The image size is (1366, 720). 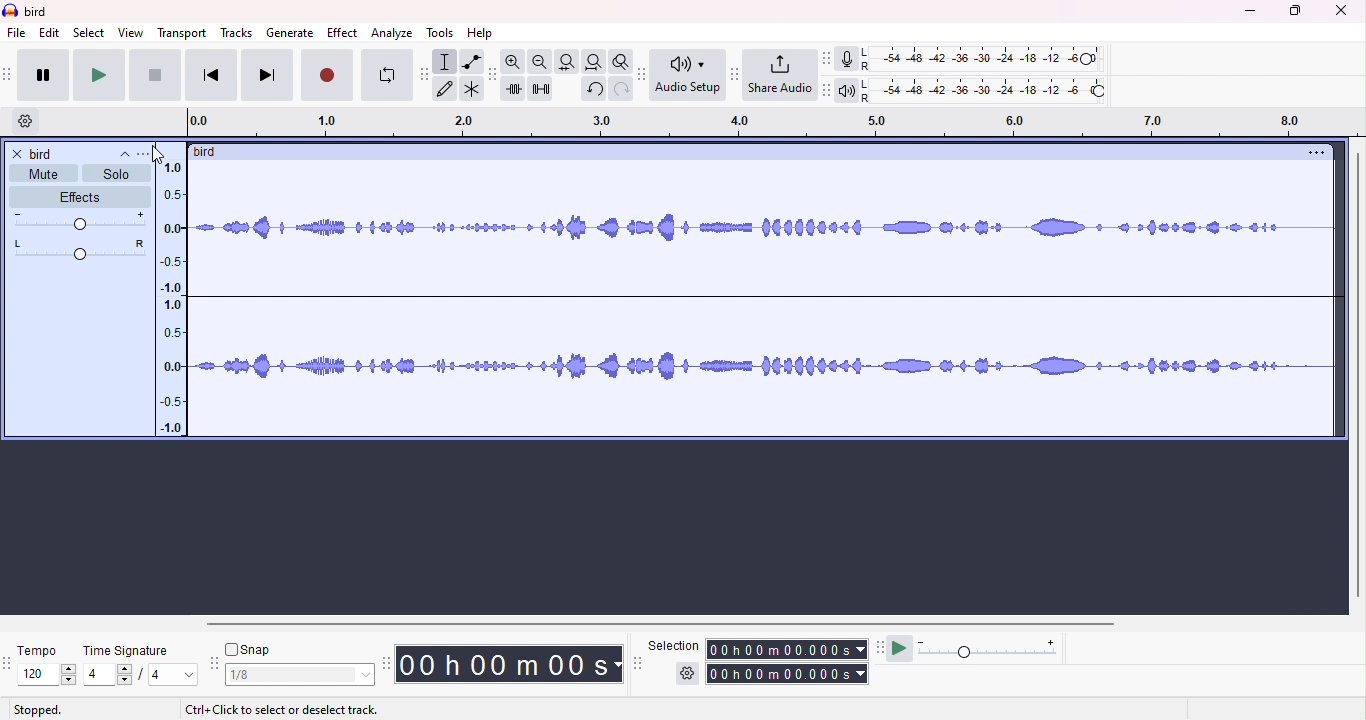 What do you see at coordinates (828, 88) in the screenshot?
I see `playback meter tool bar` at bounding box center [828, 88].